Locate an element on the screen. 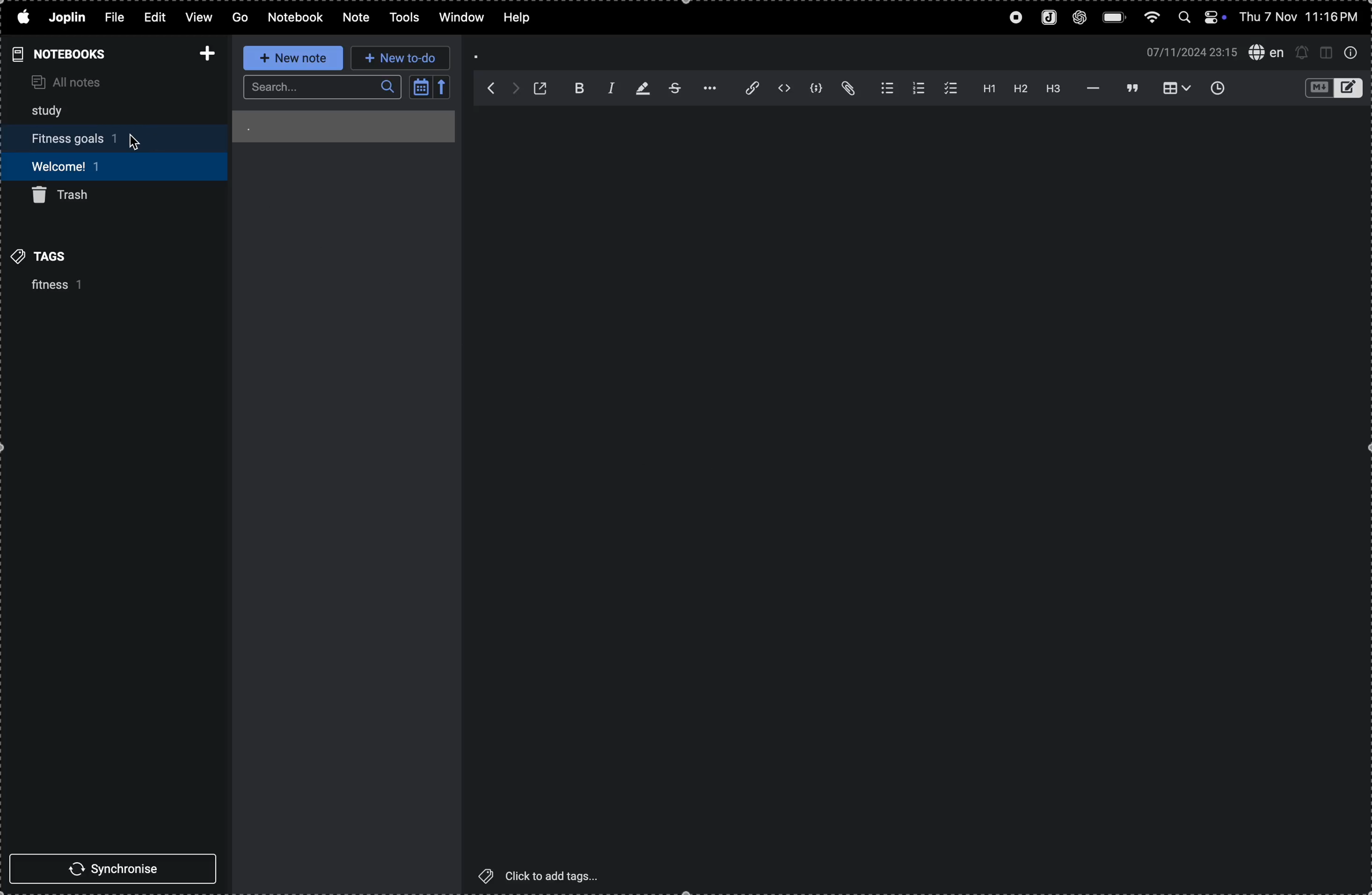  strike through is located at coordinates (671, 88).